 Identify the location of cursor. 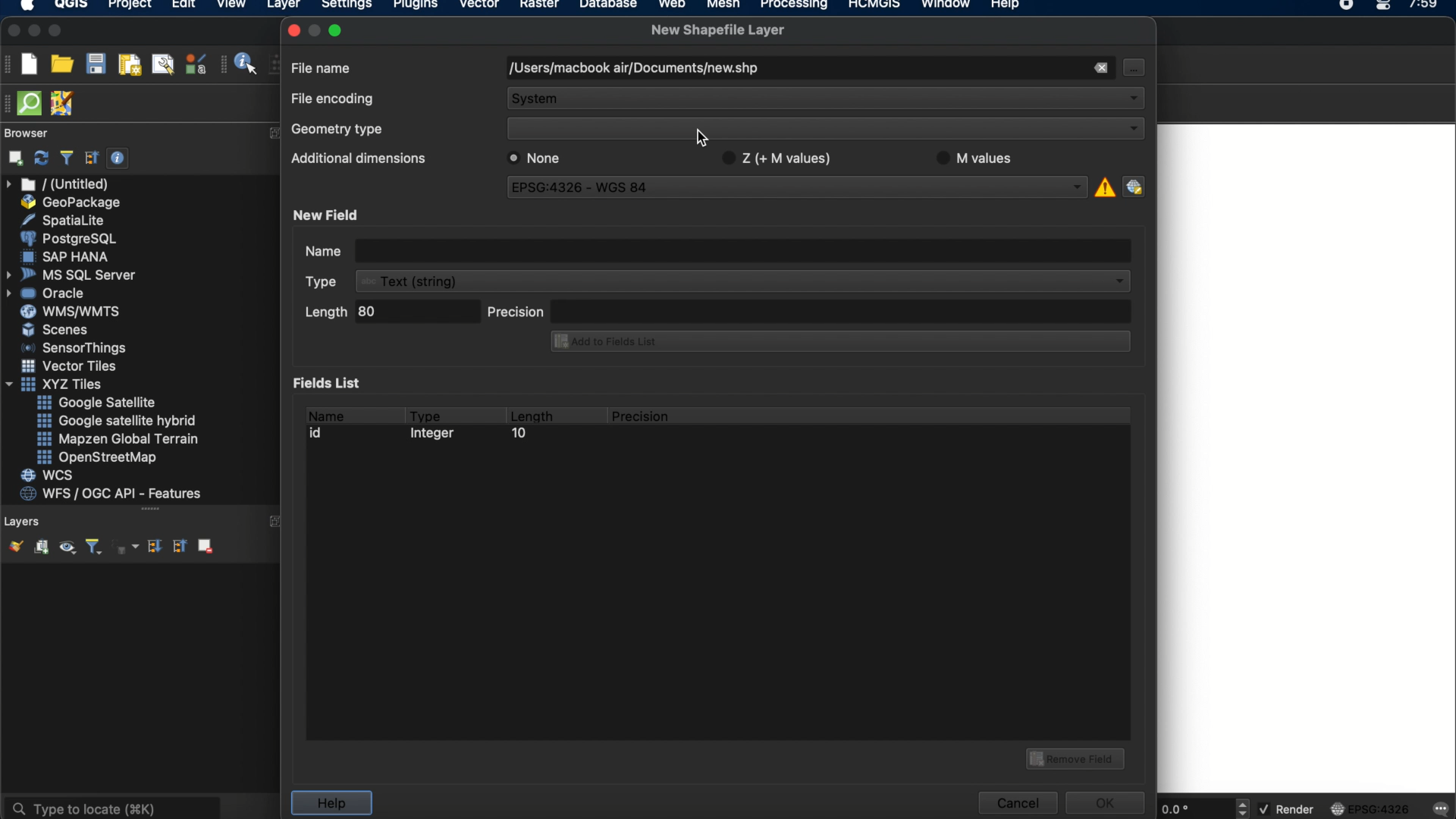
(704, 138).